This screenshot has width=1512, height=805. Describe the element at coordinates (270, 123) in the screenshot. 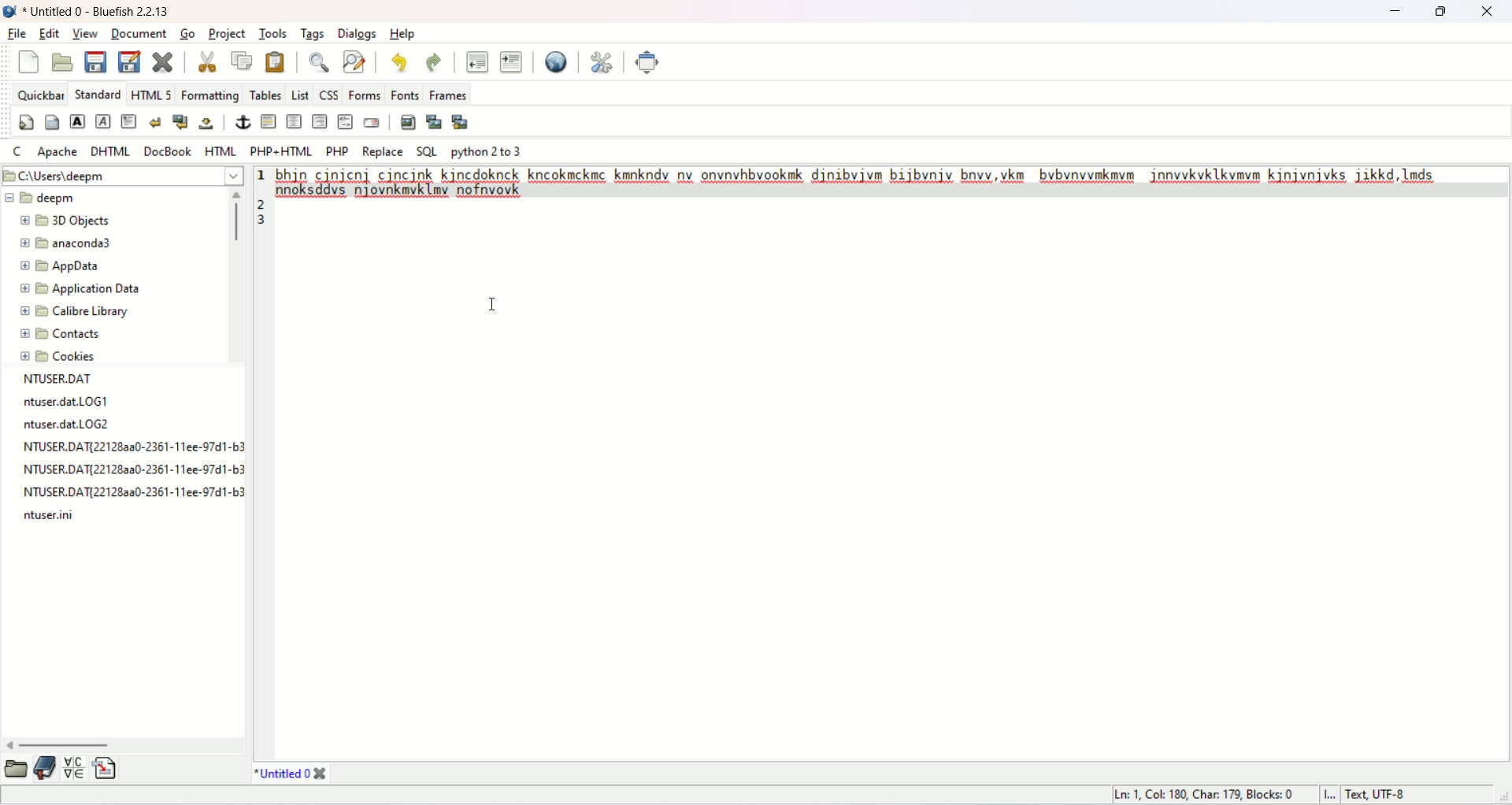

I see `horizontal` at that location.